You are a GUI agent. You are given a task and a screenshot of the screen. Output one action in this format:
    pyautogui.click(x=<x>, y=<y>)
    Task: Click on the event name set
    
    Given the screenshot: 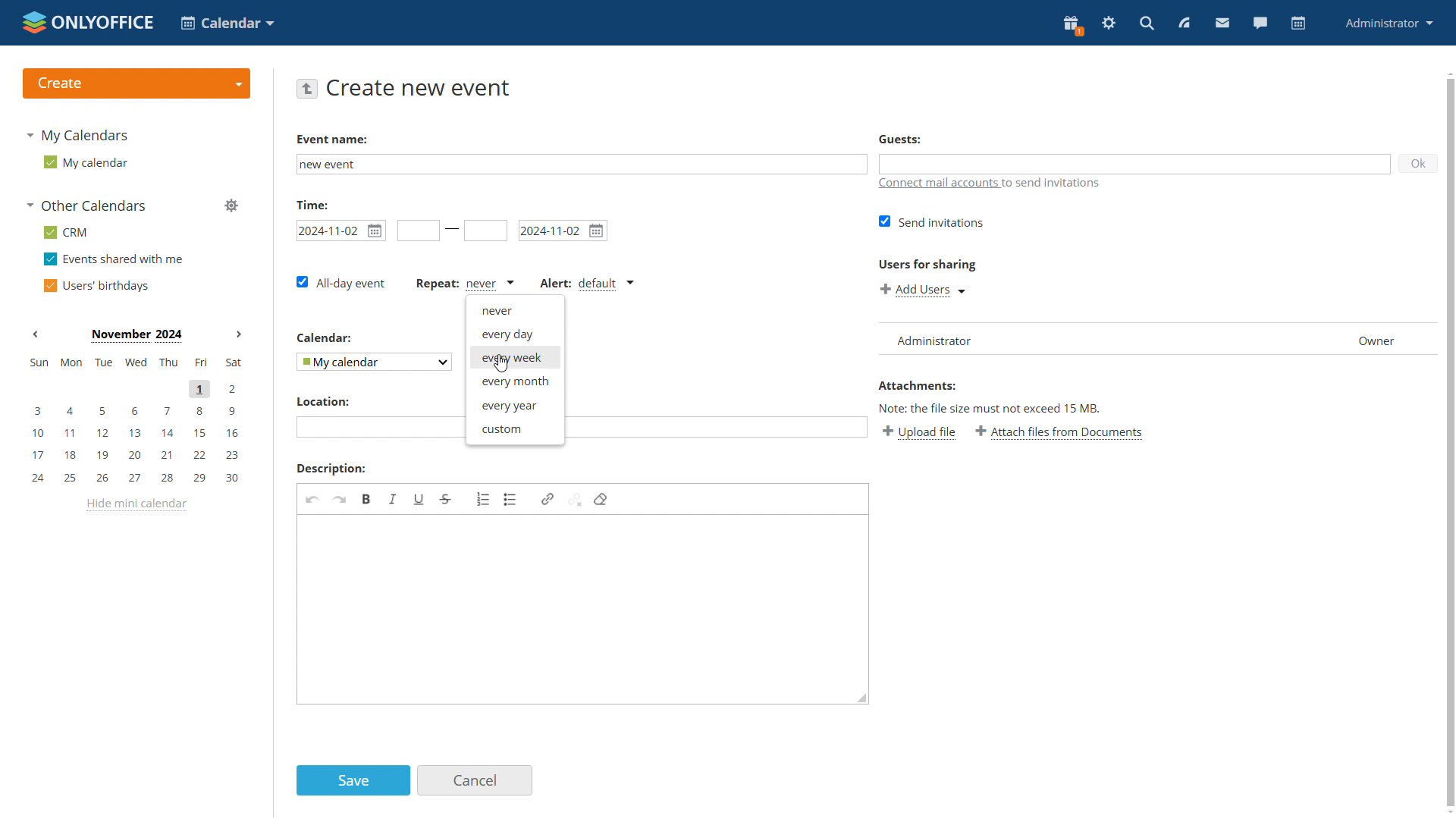 What is the action you would take?
    pyautogui.click(x=334, y=165)
    